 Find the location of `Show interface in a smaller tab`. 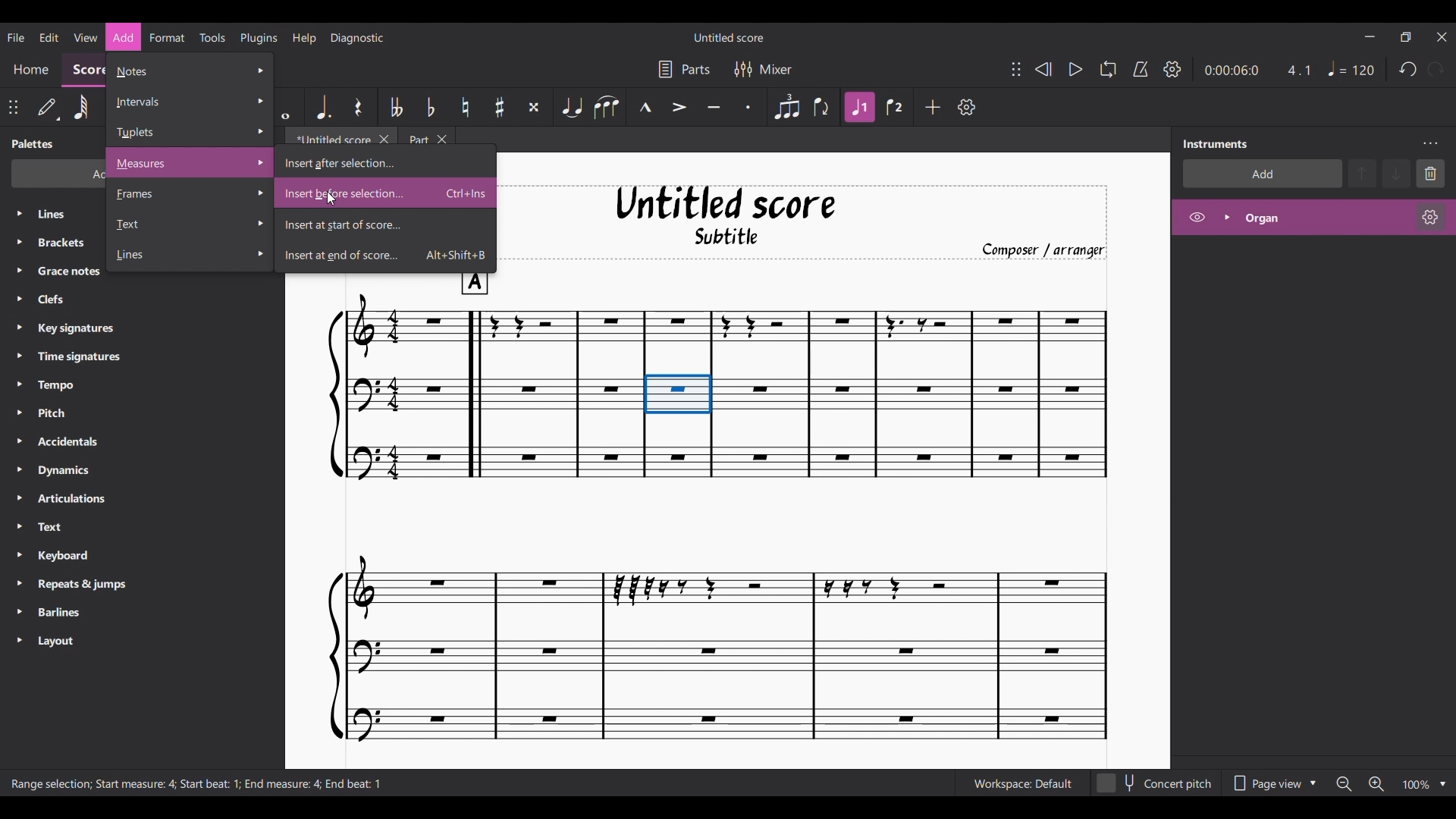

Show interface in a smaller tab is located at coordinates (1405, 36).